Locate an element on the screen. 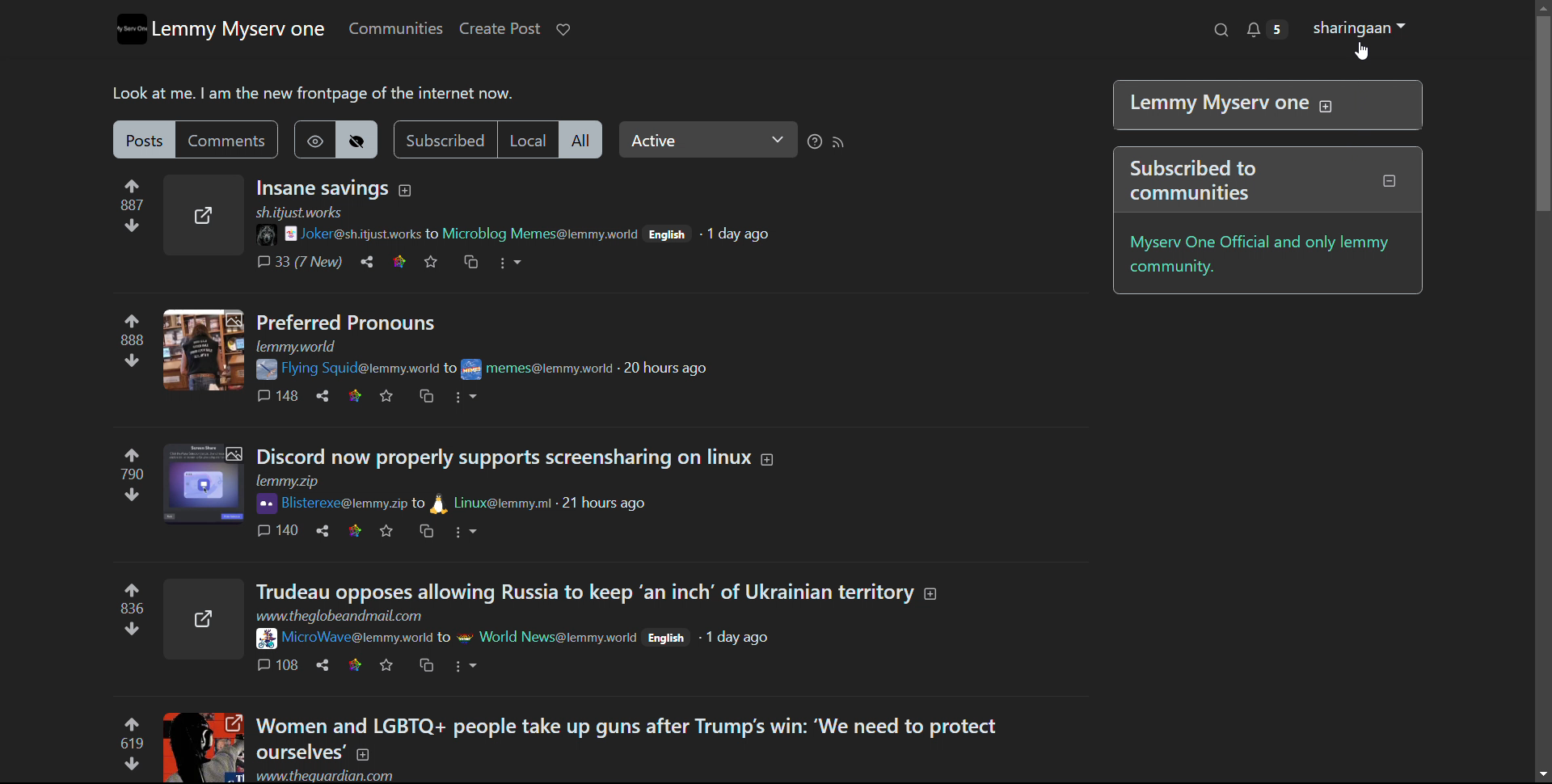 The width and height of the screenshot is (1552, 784). donate to lemmy is located at coordinates (564, 30).